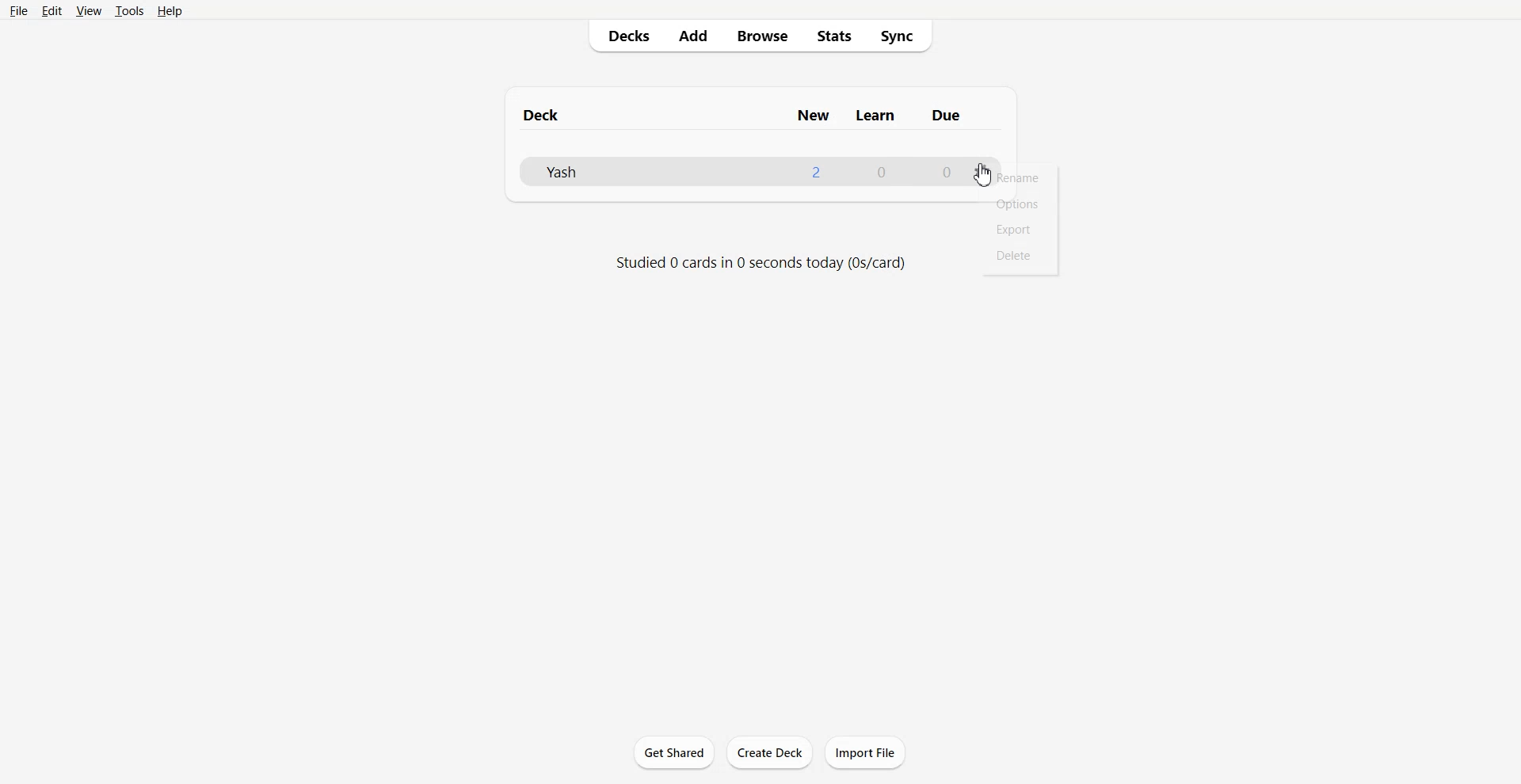 This screenshot has width=1521, height=784. Describe the element at coordinates (945, 172) in the screenshot. I see `0` at that location.